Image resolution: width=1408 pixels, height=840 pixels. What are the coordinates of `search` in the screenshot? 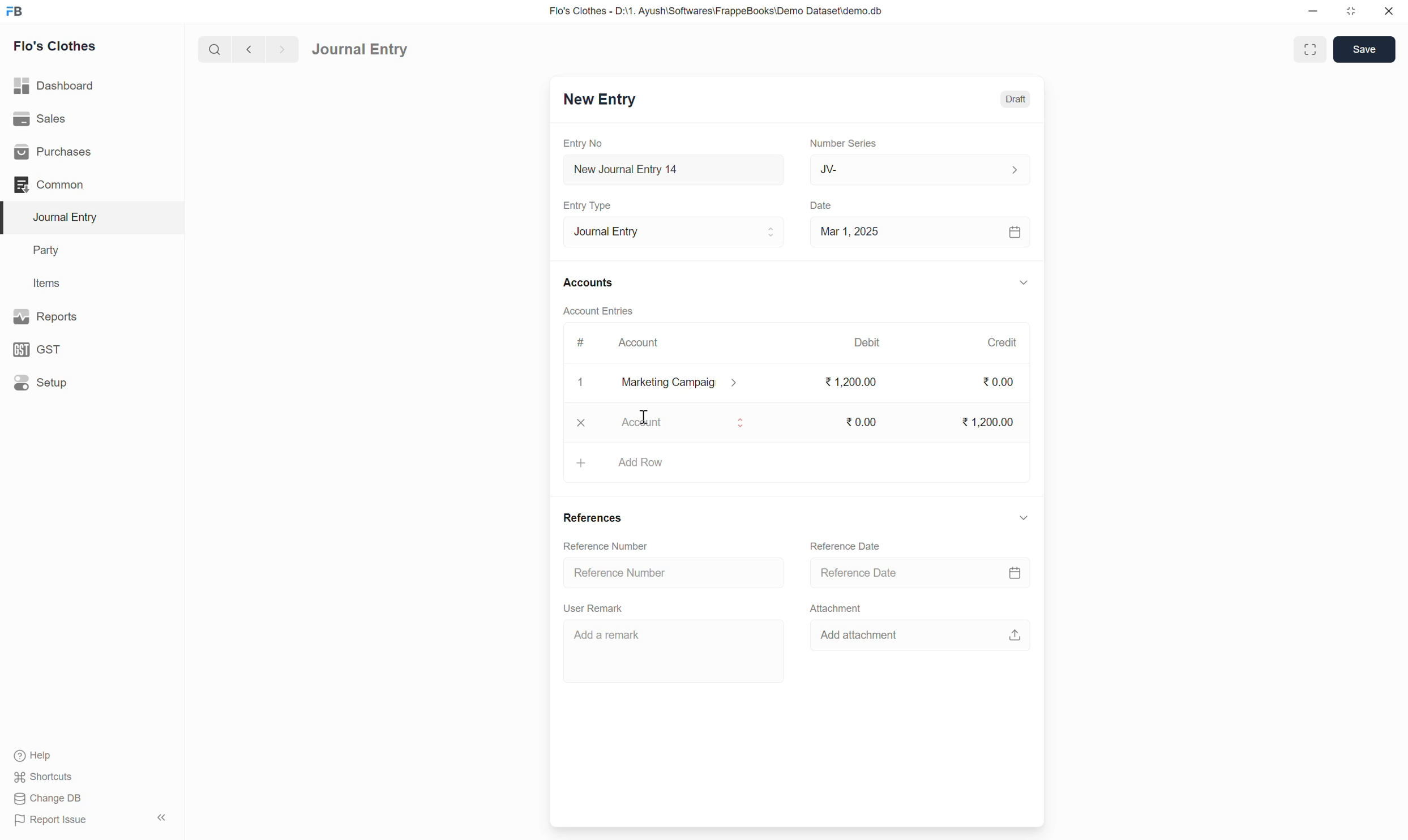 It's located at (213, 49).